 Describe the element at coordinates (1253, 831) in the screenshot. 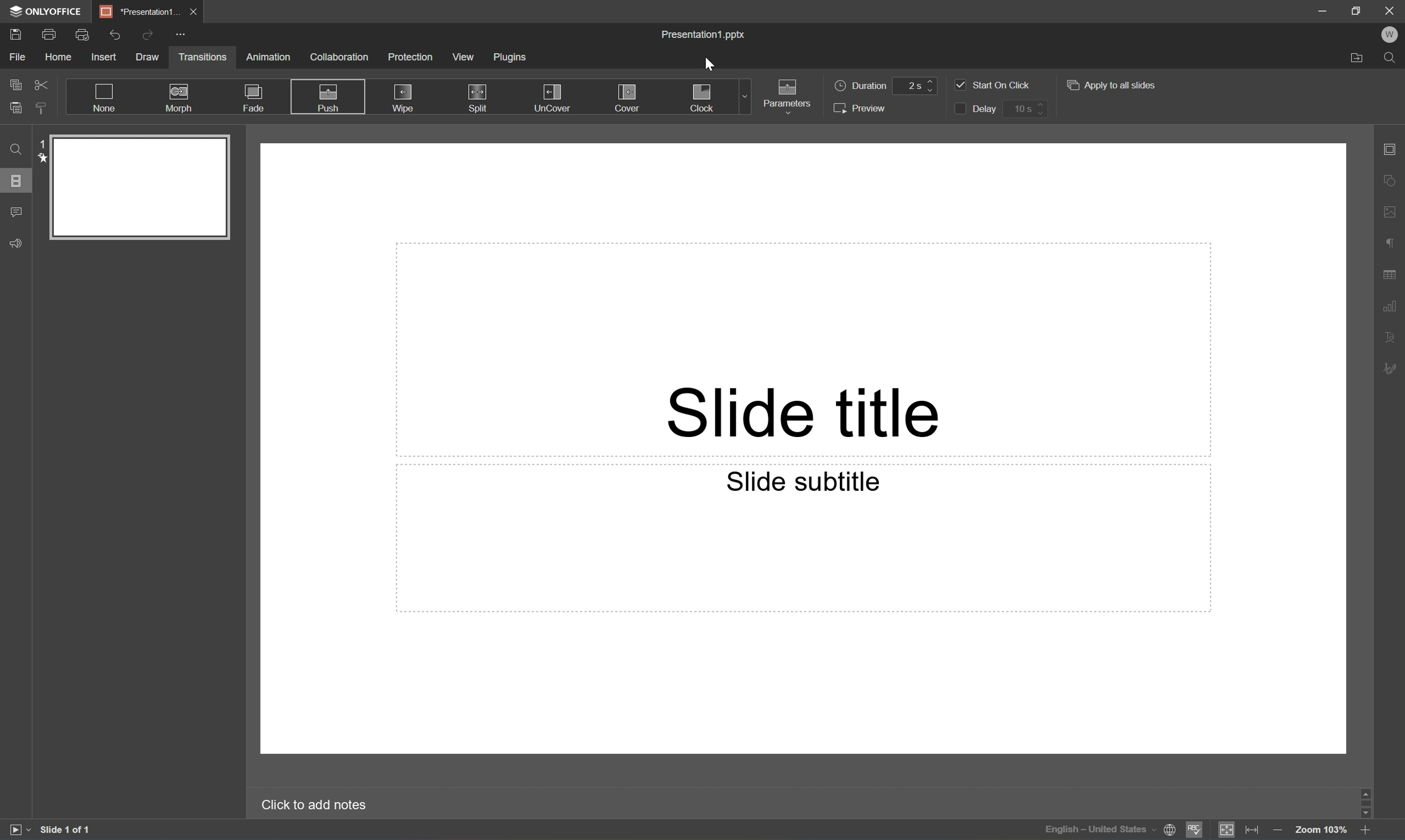

I see `Fit to width` at that location.